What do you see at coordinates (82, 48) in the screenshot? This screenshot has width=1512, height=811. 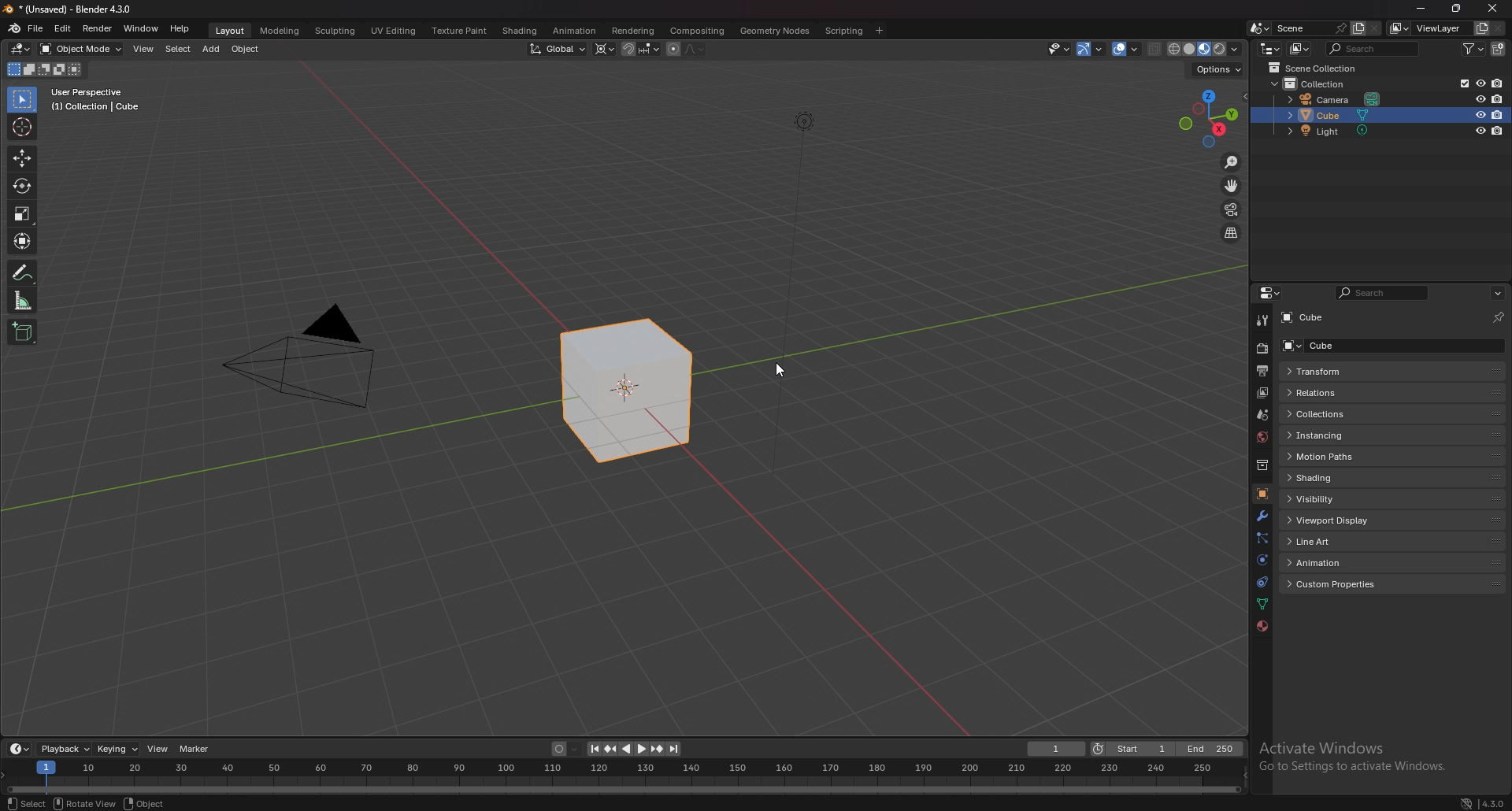 I see `object mode` at bounding box center [82, 48].